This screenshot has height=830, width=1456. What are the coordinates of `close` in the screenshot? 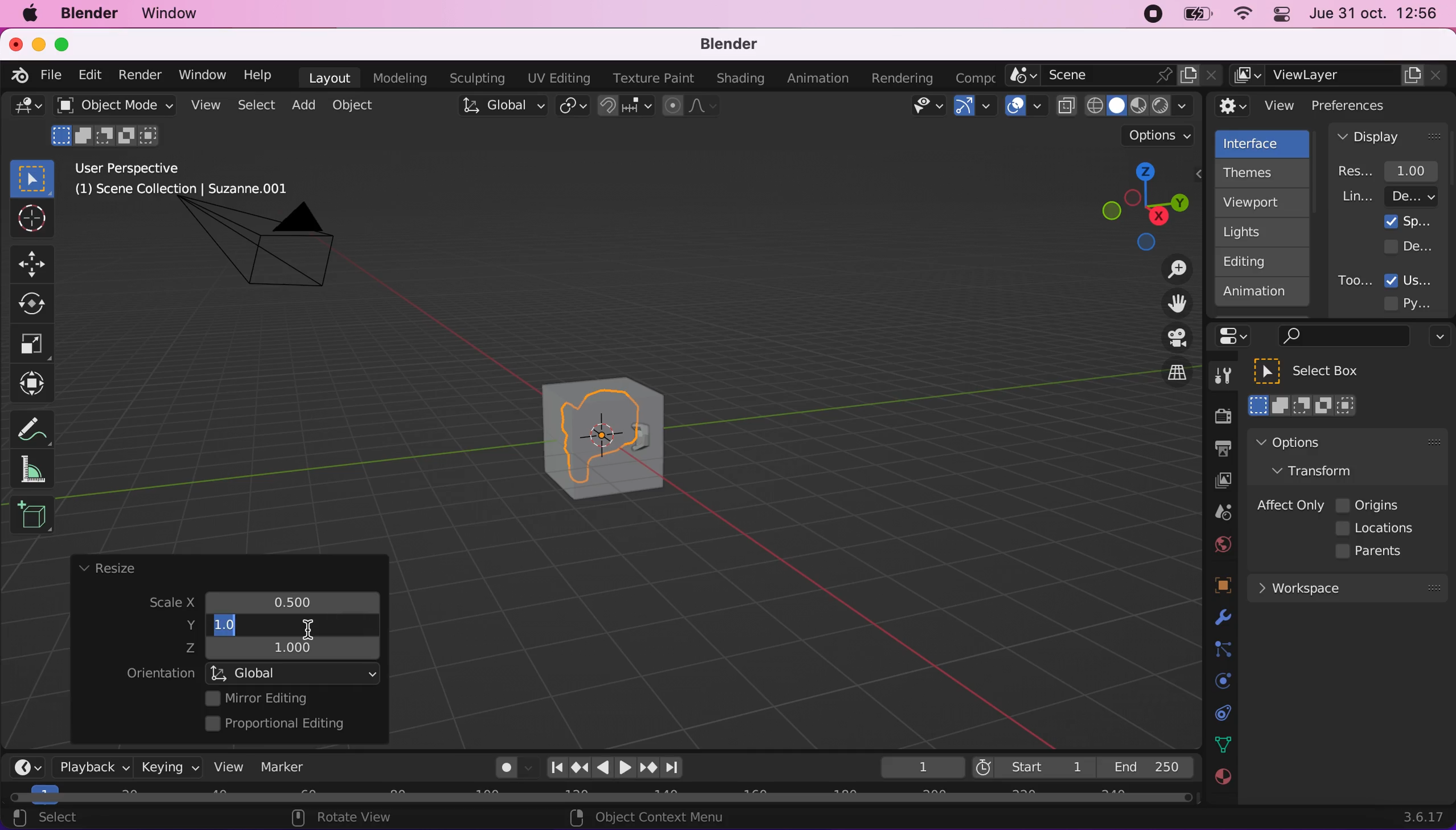 It's located at (15, 43).